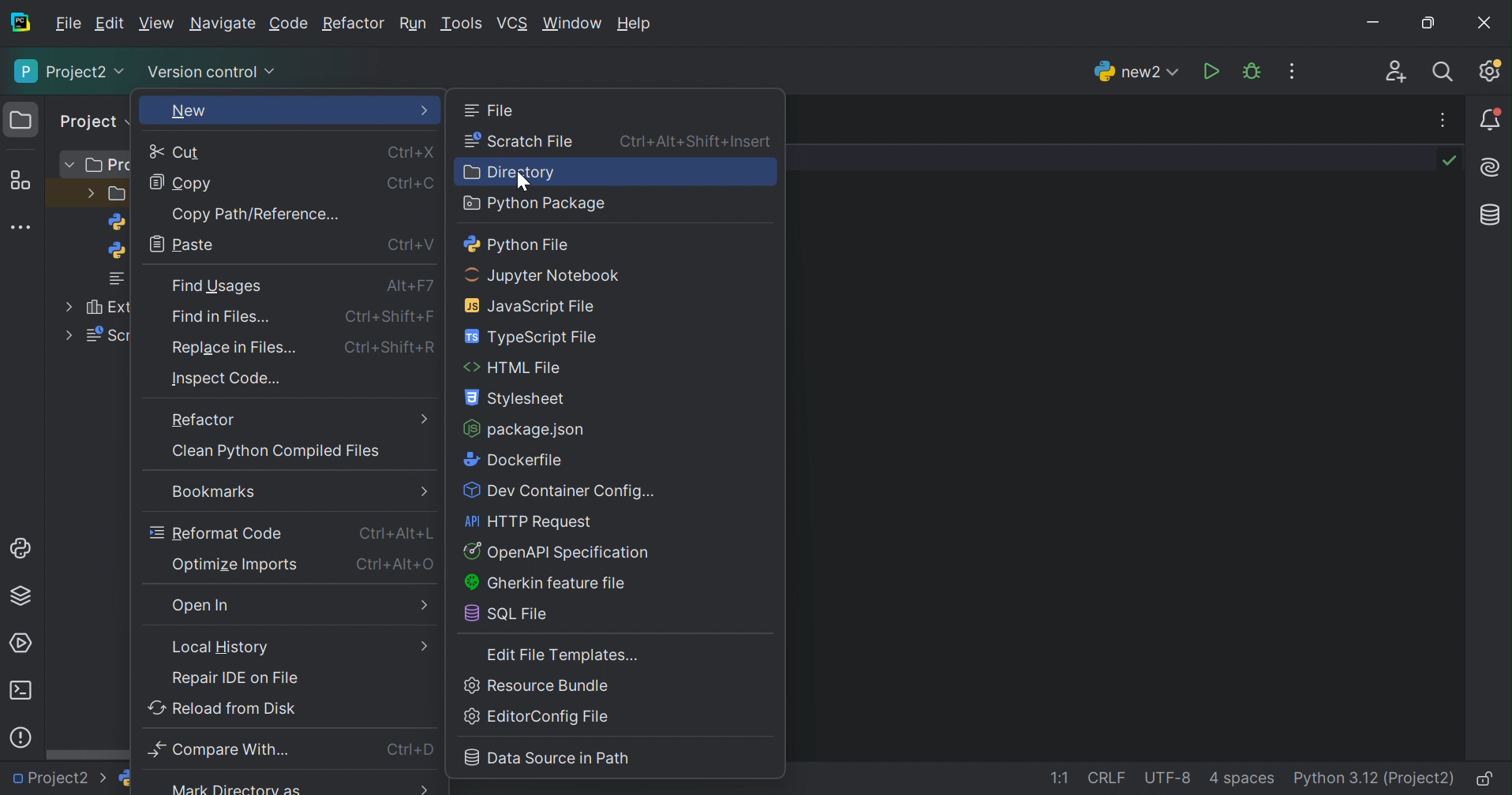 The image size is (1512, 795). Describe the element at coordinates (353, 24) in the screenshot. I see `Refactor` at that location.